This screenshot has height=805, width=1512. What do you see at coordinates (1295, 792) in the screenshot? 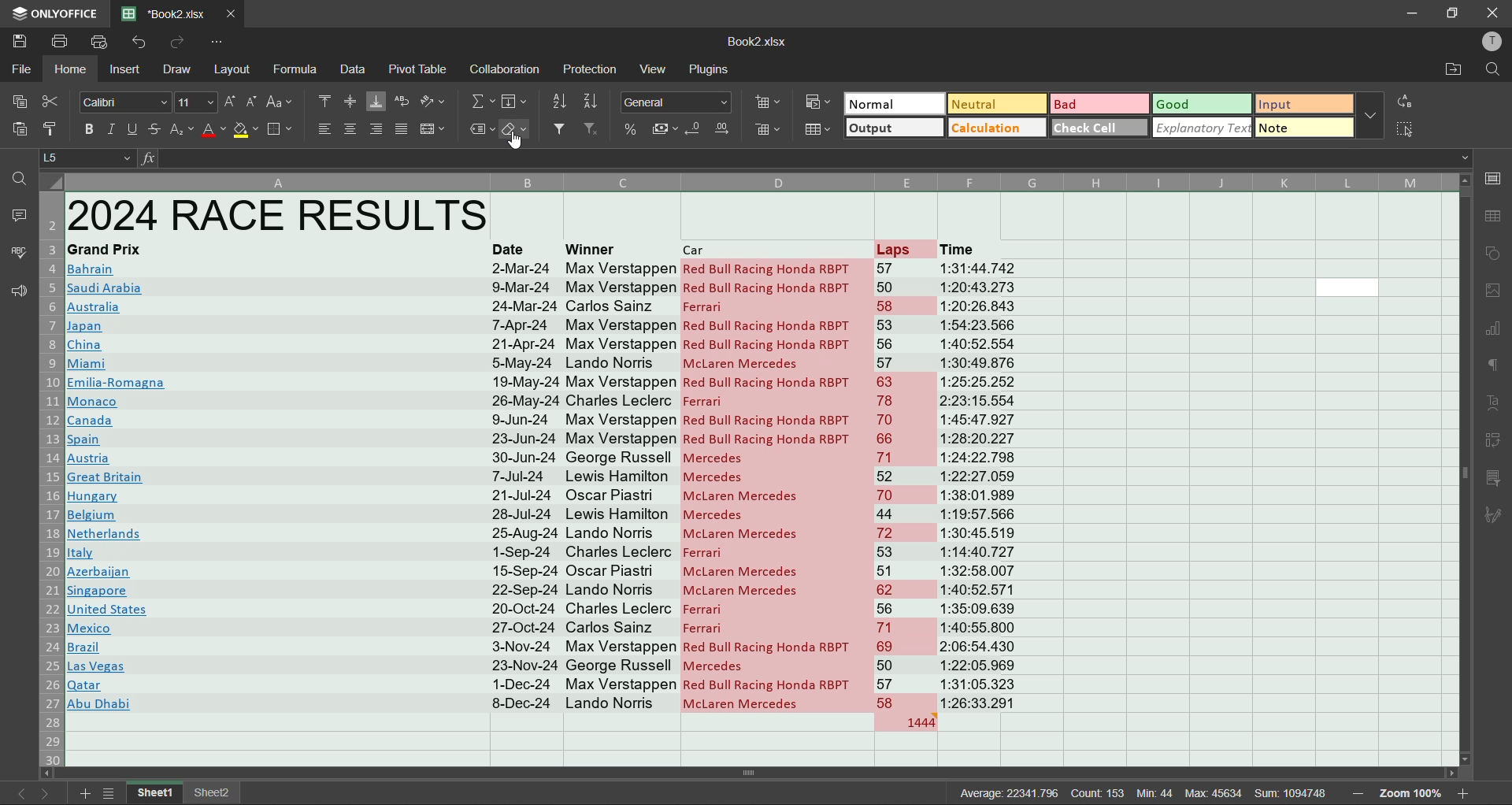
I see `sum` at bounding box center [1295, 792].